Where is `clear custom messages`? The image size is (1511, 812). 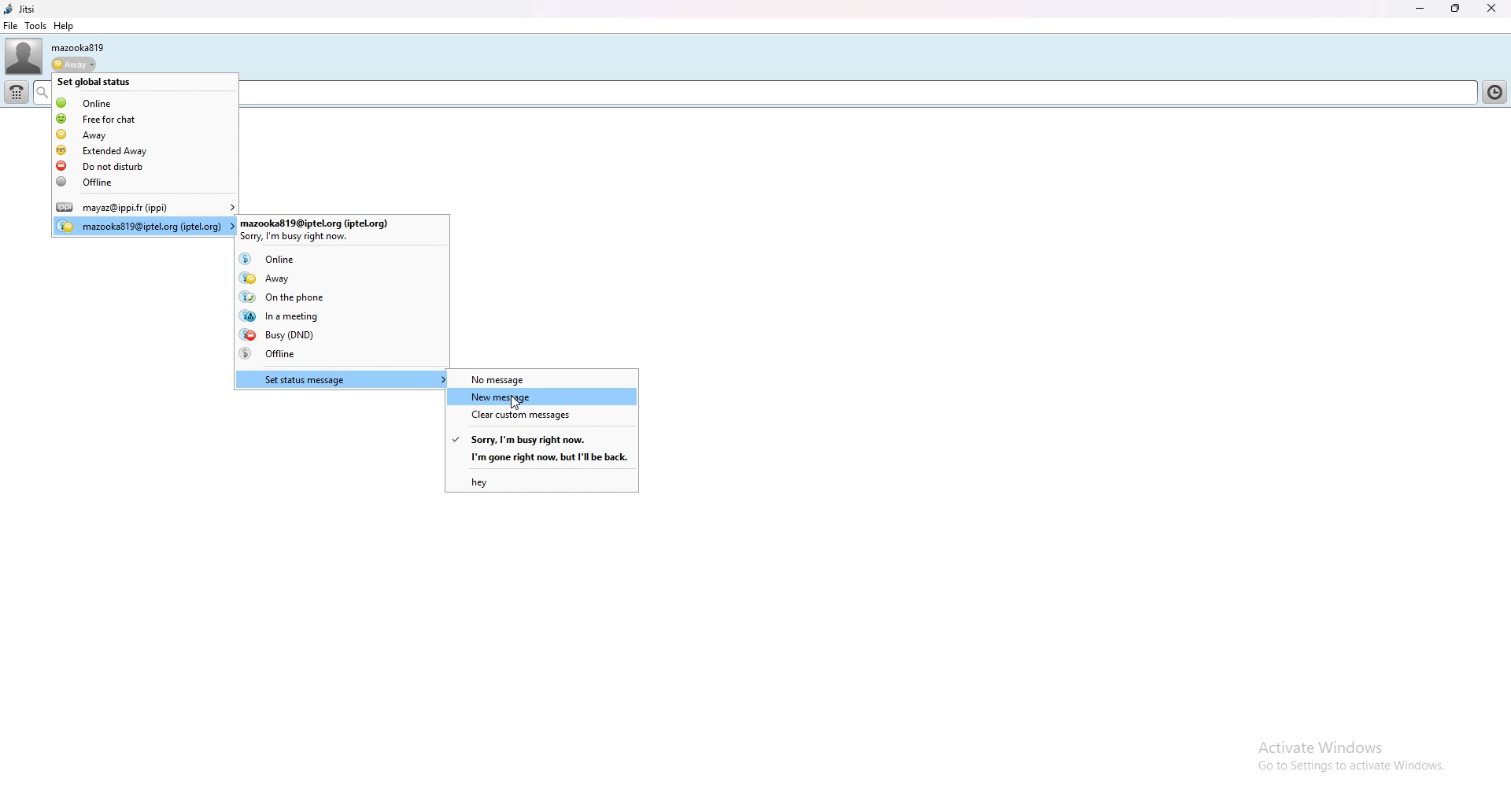
clear custom messages is located at coordinates (533, 413).